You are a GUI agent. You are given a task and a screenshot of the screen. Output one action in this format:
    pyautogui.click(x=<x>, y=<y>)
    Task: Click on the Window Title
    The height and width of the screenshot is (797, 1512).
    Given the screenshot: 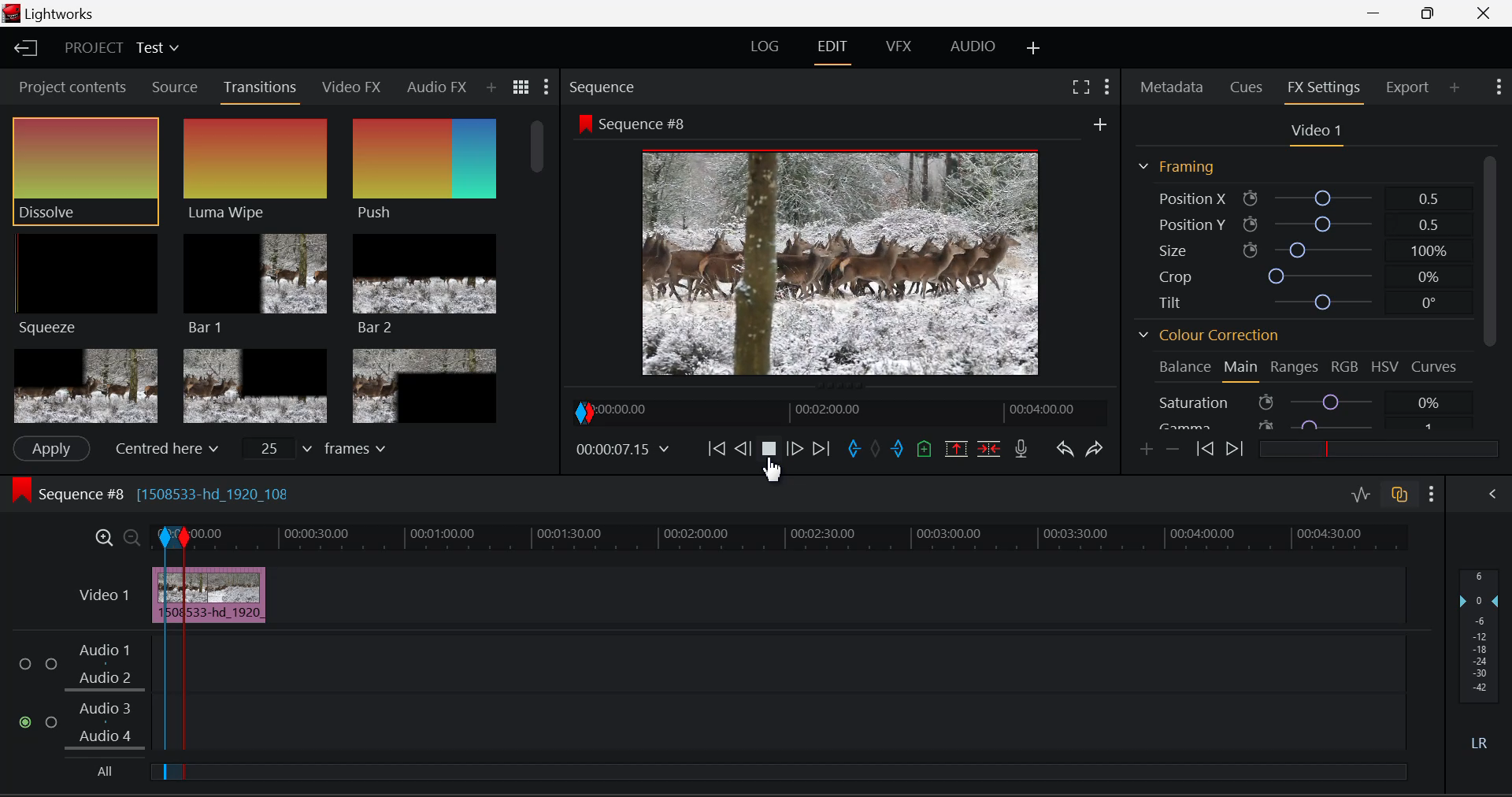 What is the action you would take?
    pyautogui.click(x=50, y=13)
    